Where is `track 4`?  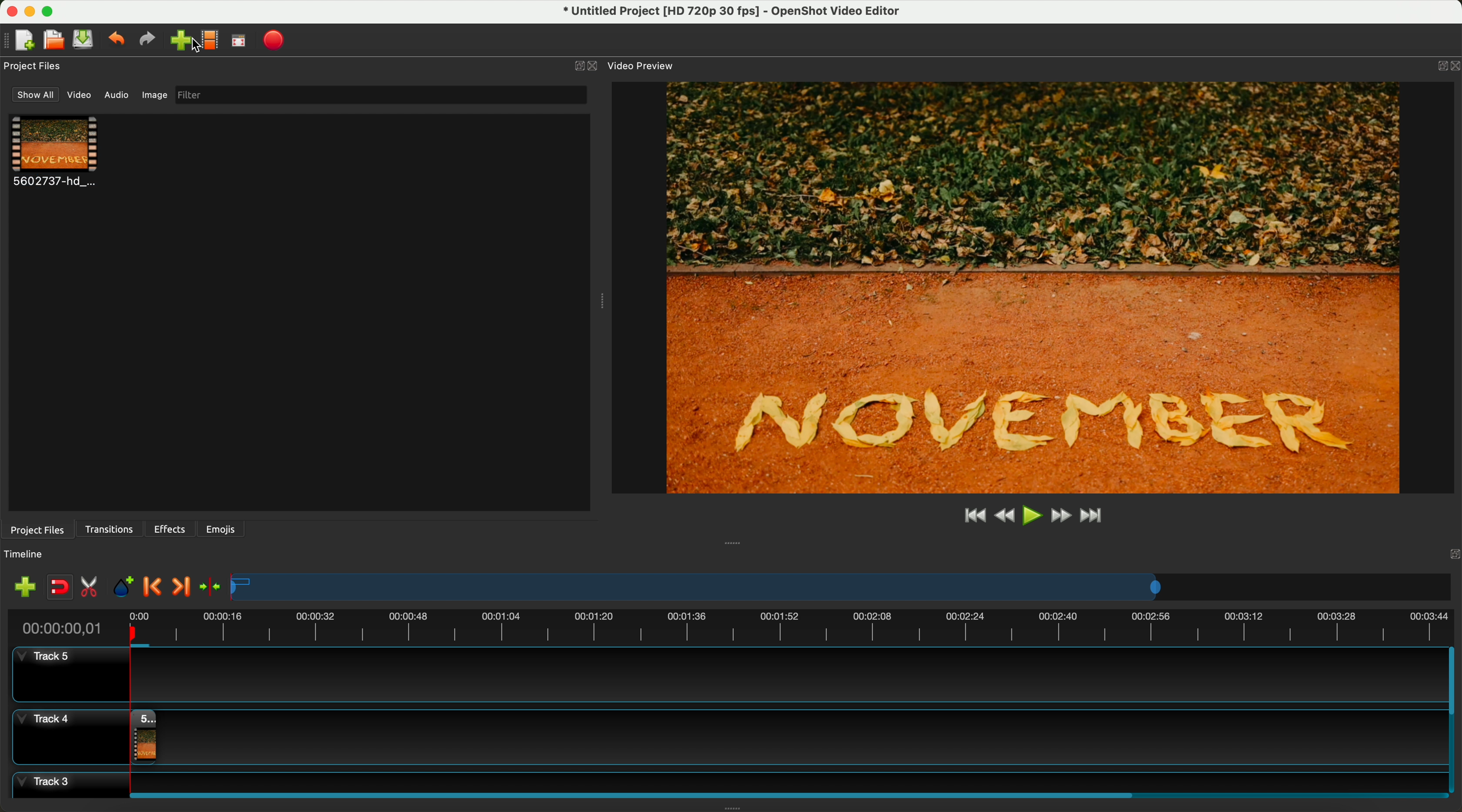 track 4 is located at coordinates (726, 734).